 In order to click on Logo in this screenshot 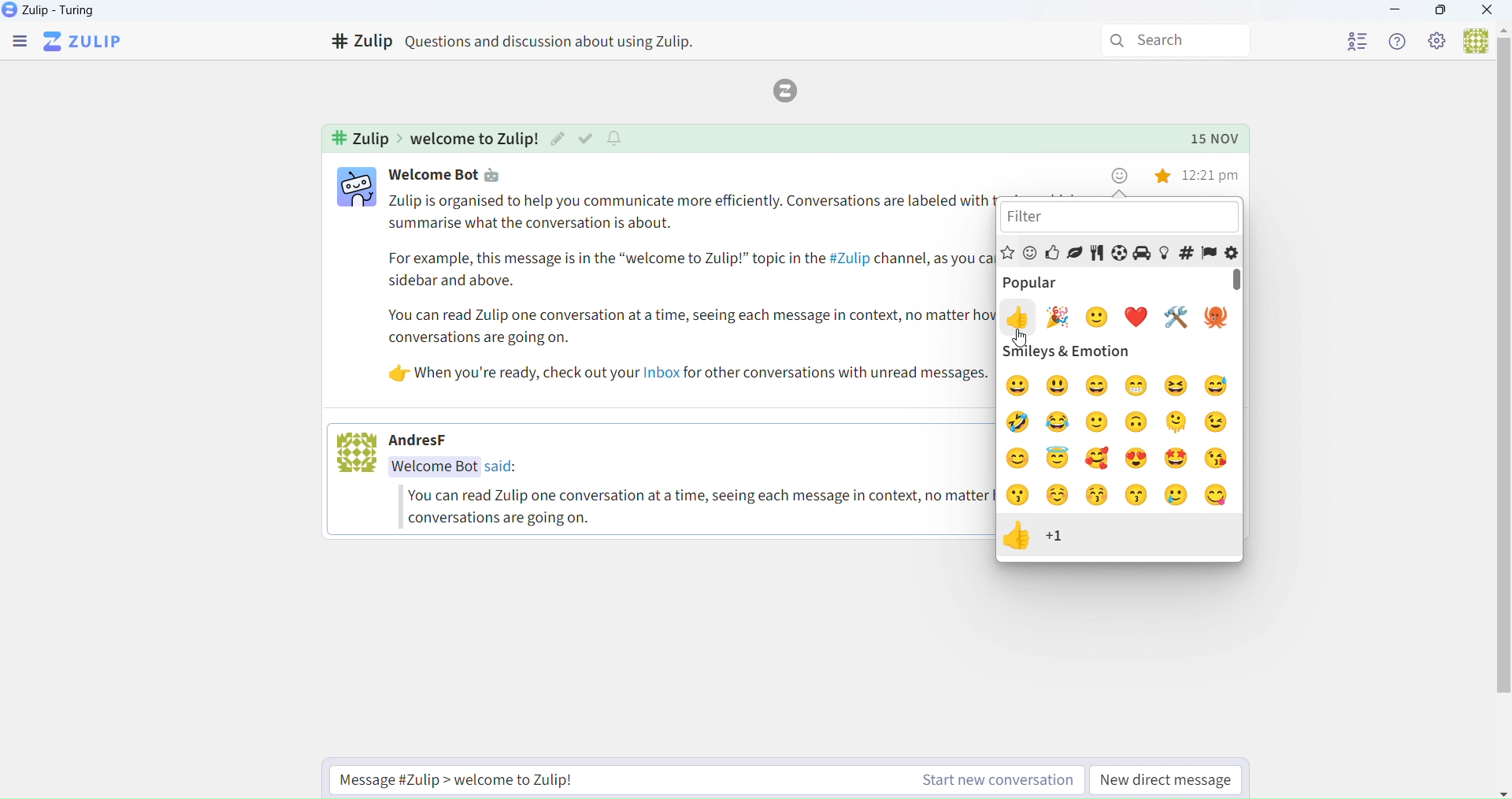, I will do `click(791, 89)`.